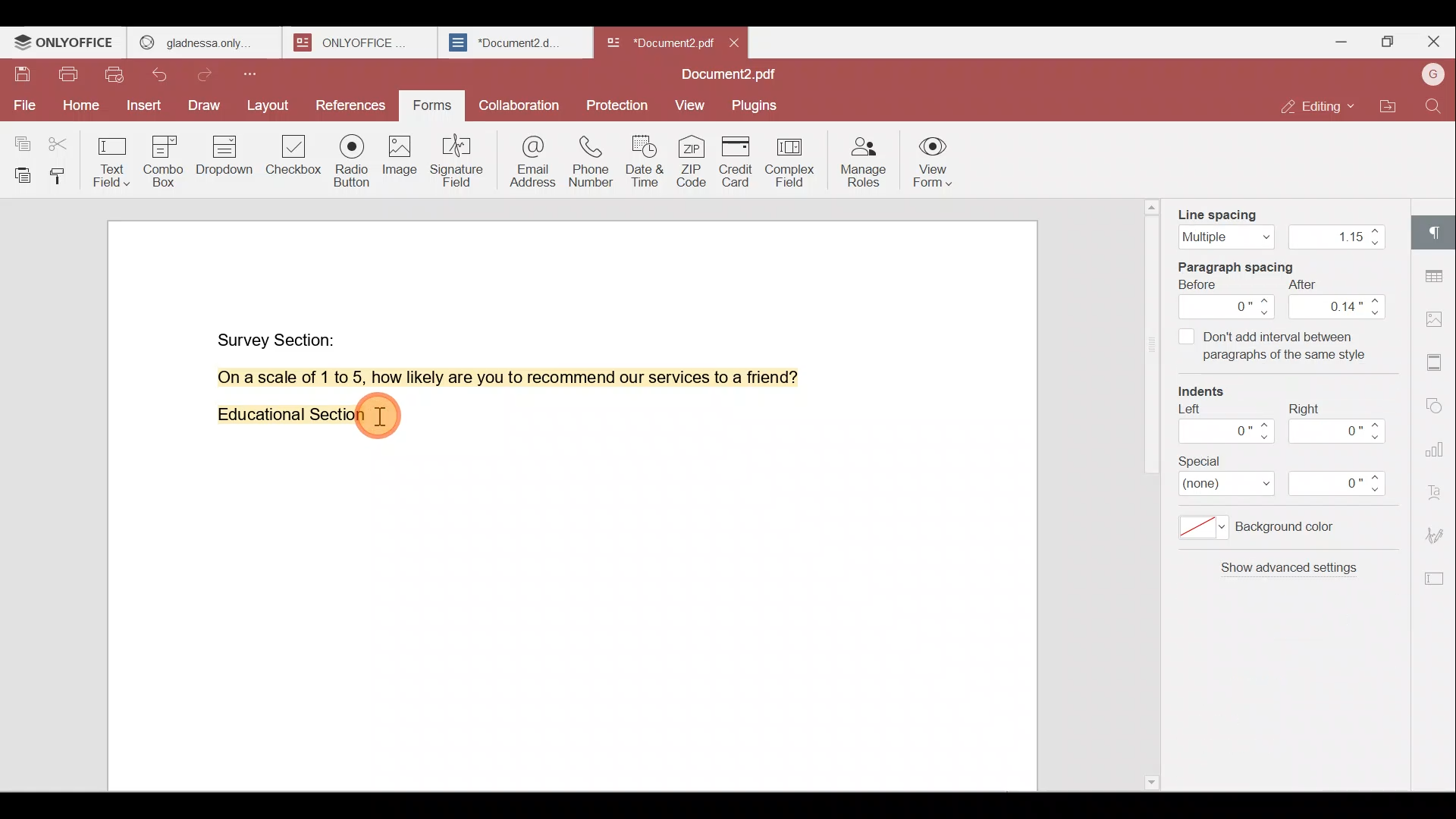  What do you see at coordinates (491, 378) in the screenshot?
I see `On a scale of 1 to 5, how likely are you to recommend our services to a friend?` at bounding box center [491, 378].